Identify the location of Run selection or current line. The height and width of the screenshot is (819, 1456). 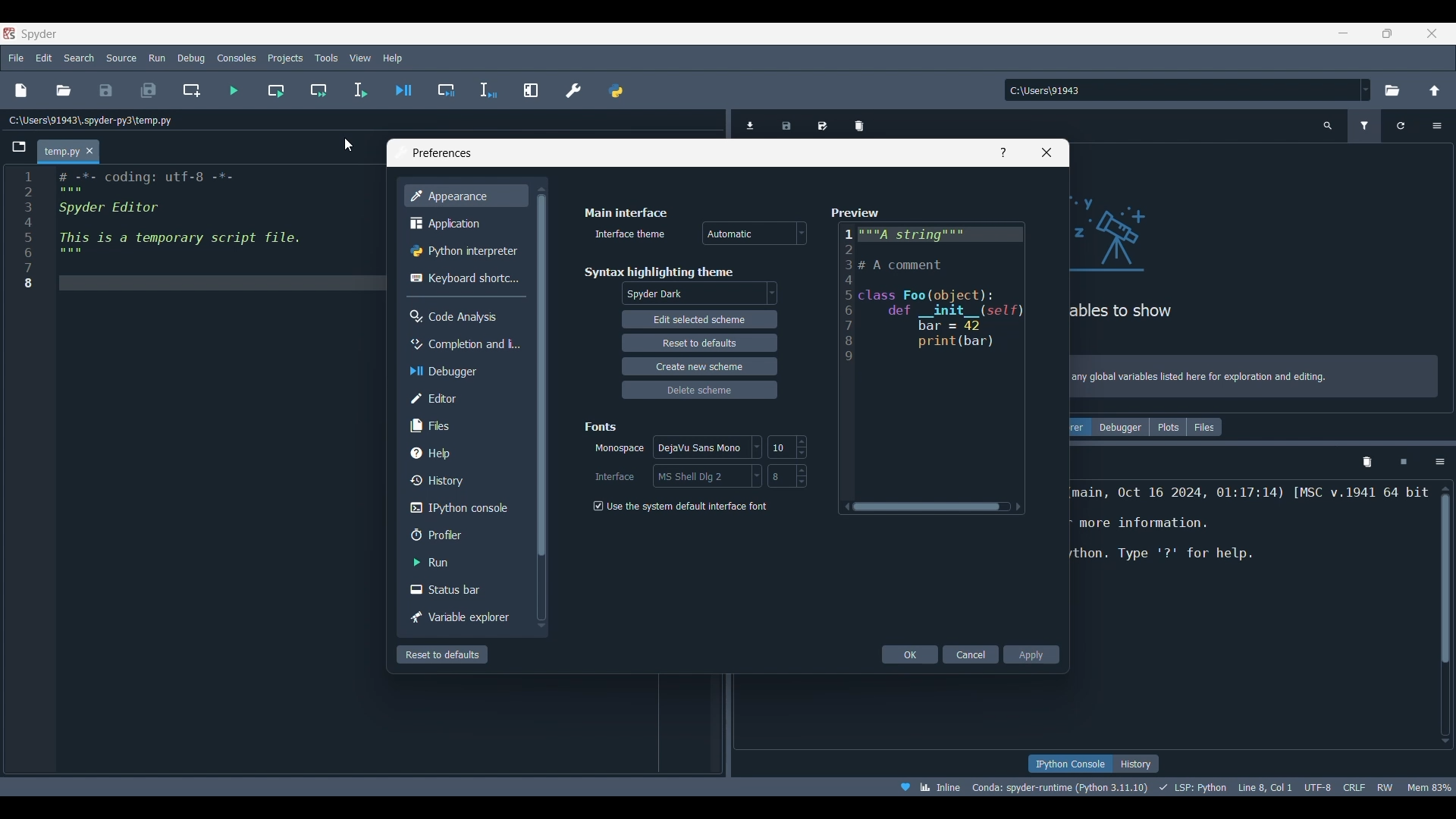
(359, 90).